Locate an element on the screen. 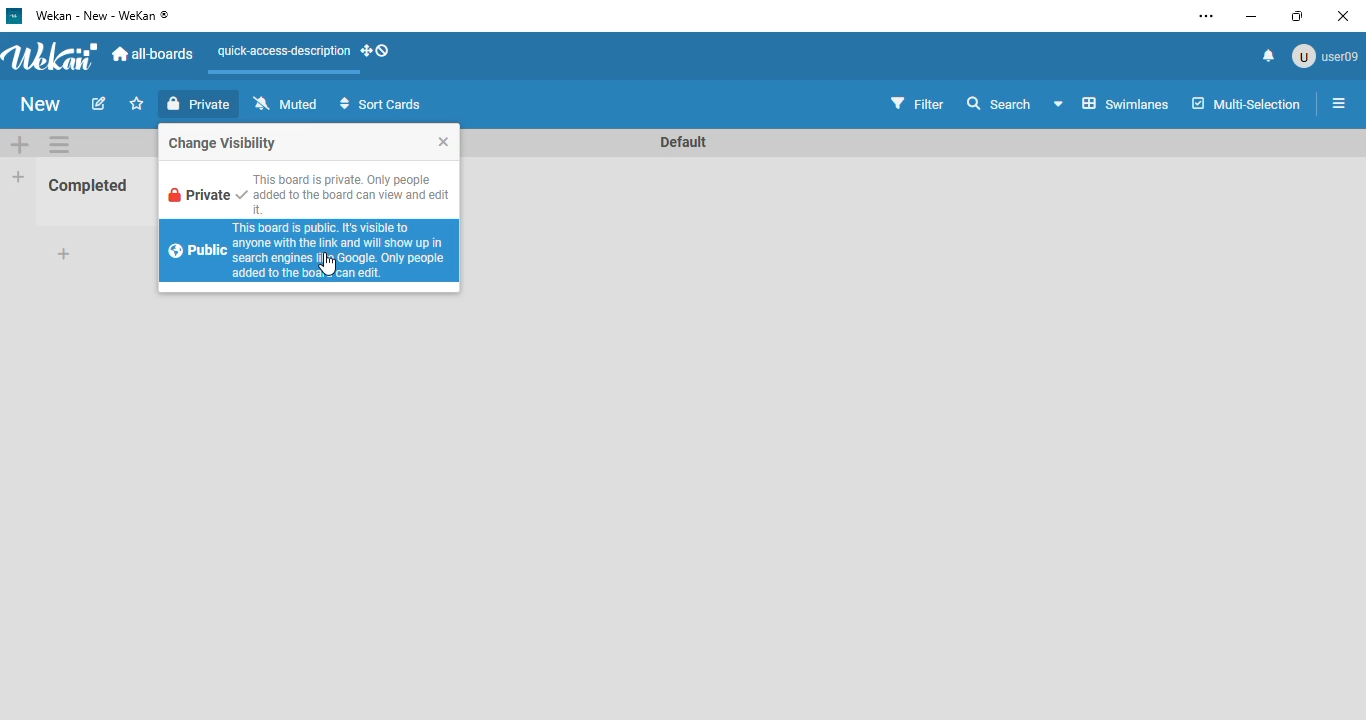 This screenshot has height=720, width=1366. multi-selection is located at coordinates (1246, 104).